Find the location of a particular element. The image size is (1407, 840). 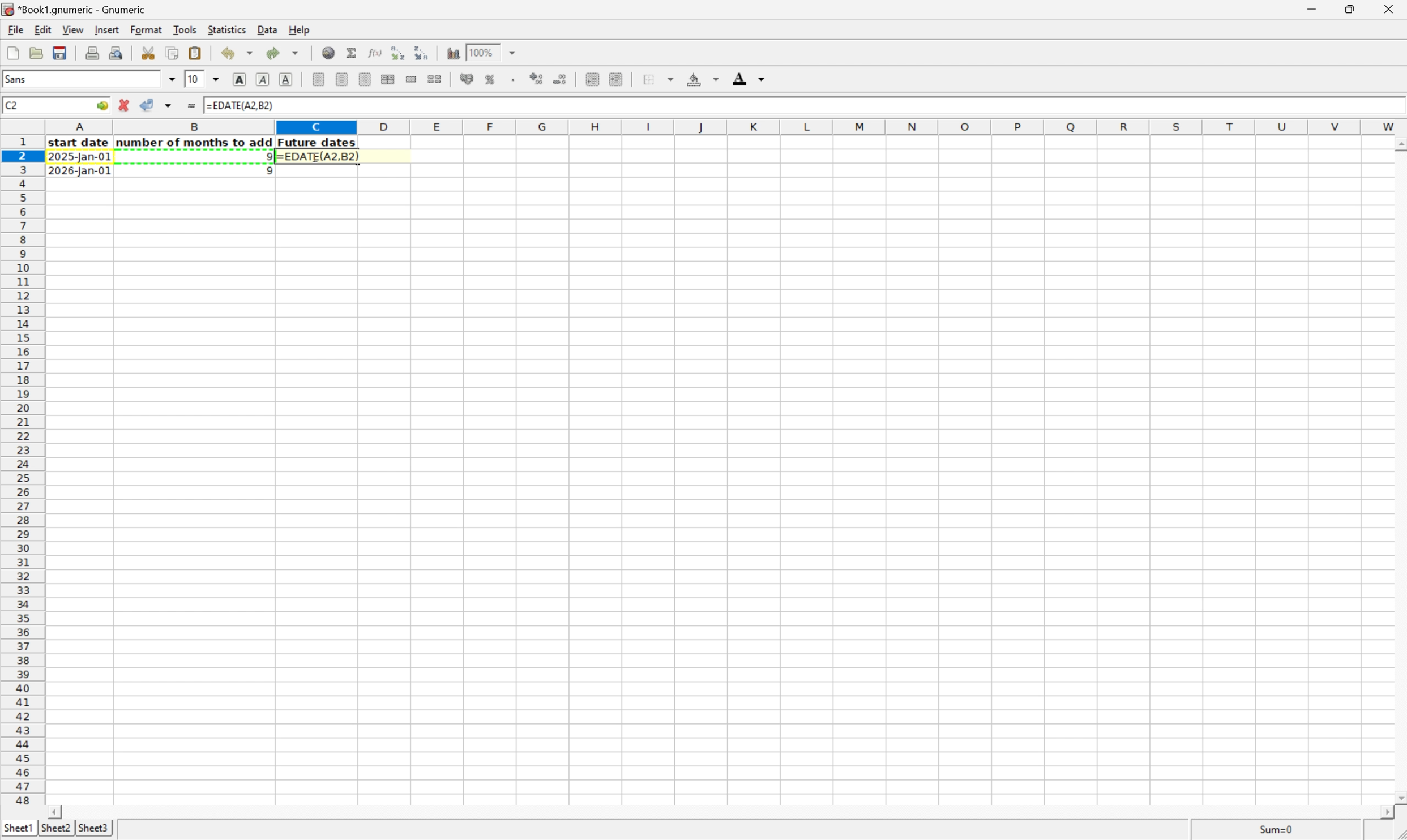

Column names is located at coordinates (726, 127).